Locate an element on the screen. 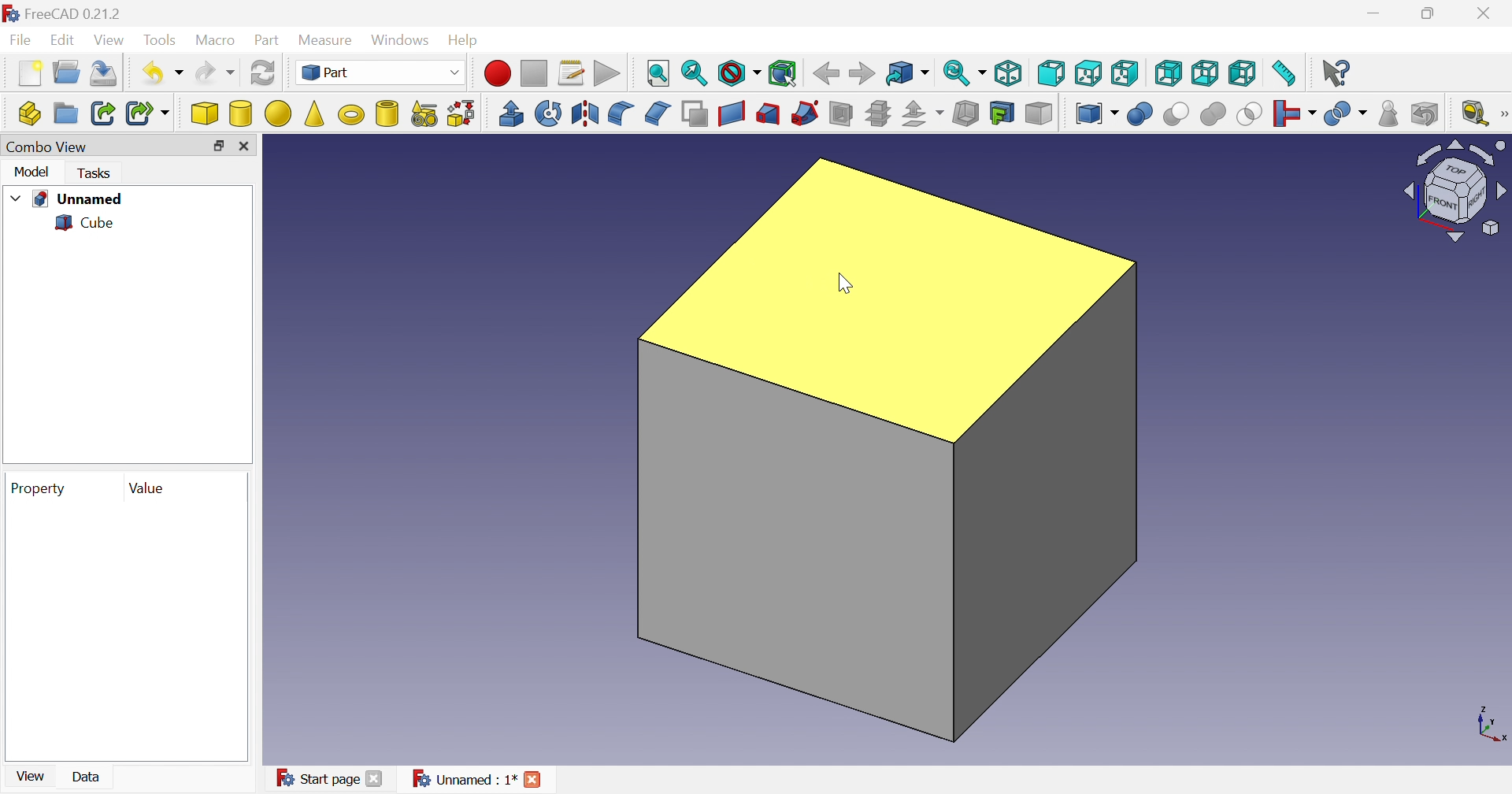  Loft is located at coordinates (768, 114).